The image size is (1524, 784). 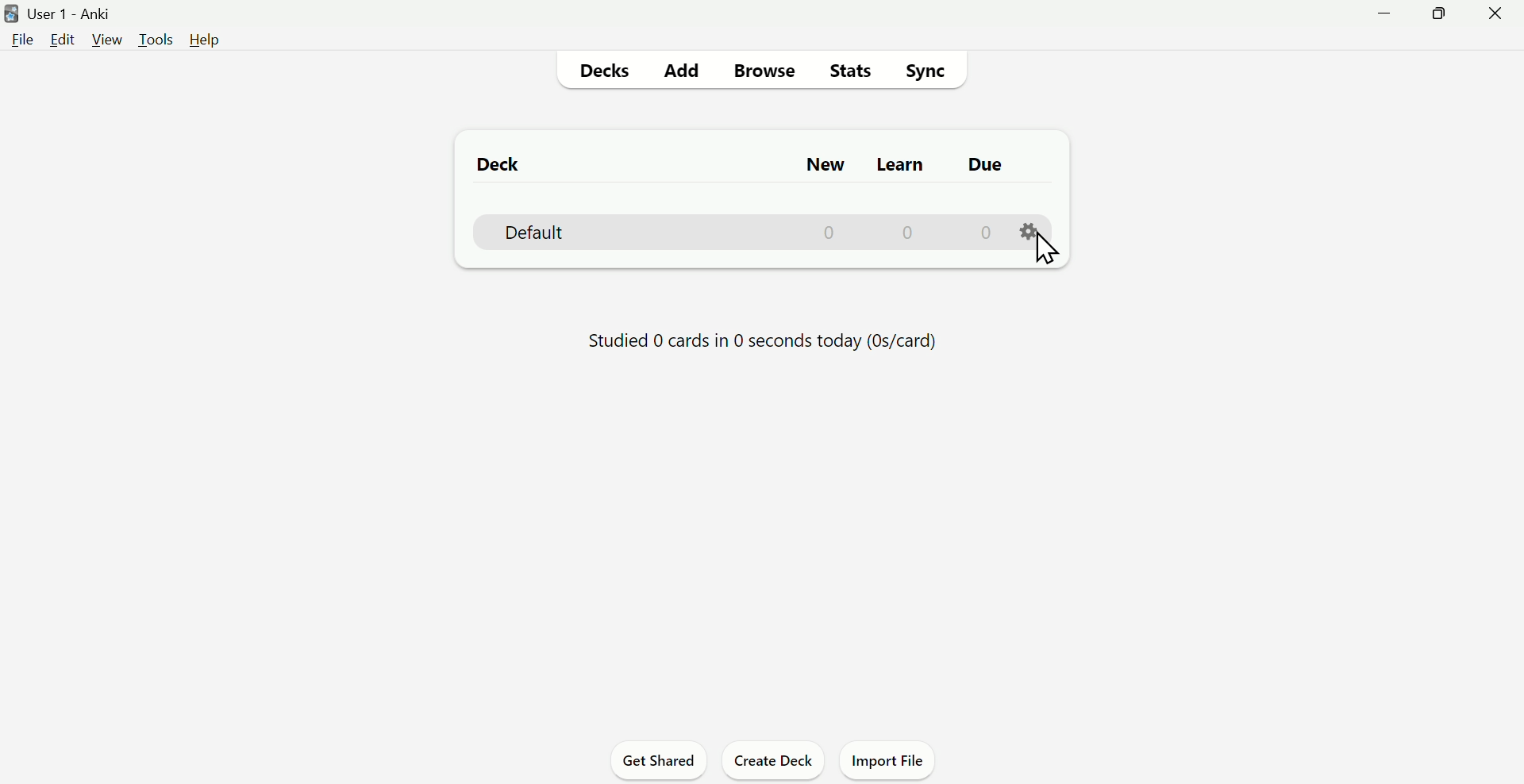 What do you see at coordinates (22, 43) in the screenshot?
I see `File` at bounding box center [22, 43].